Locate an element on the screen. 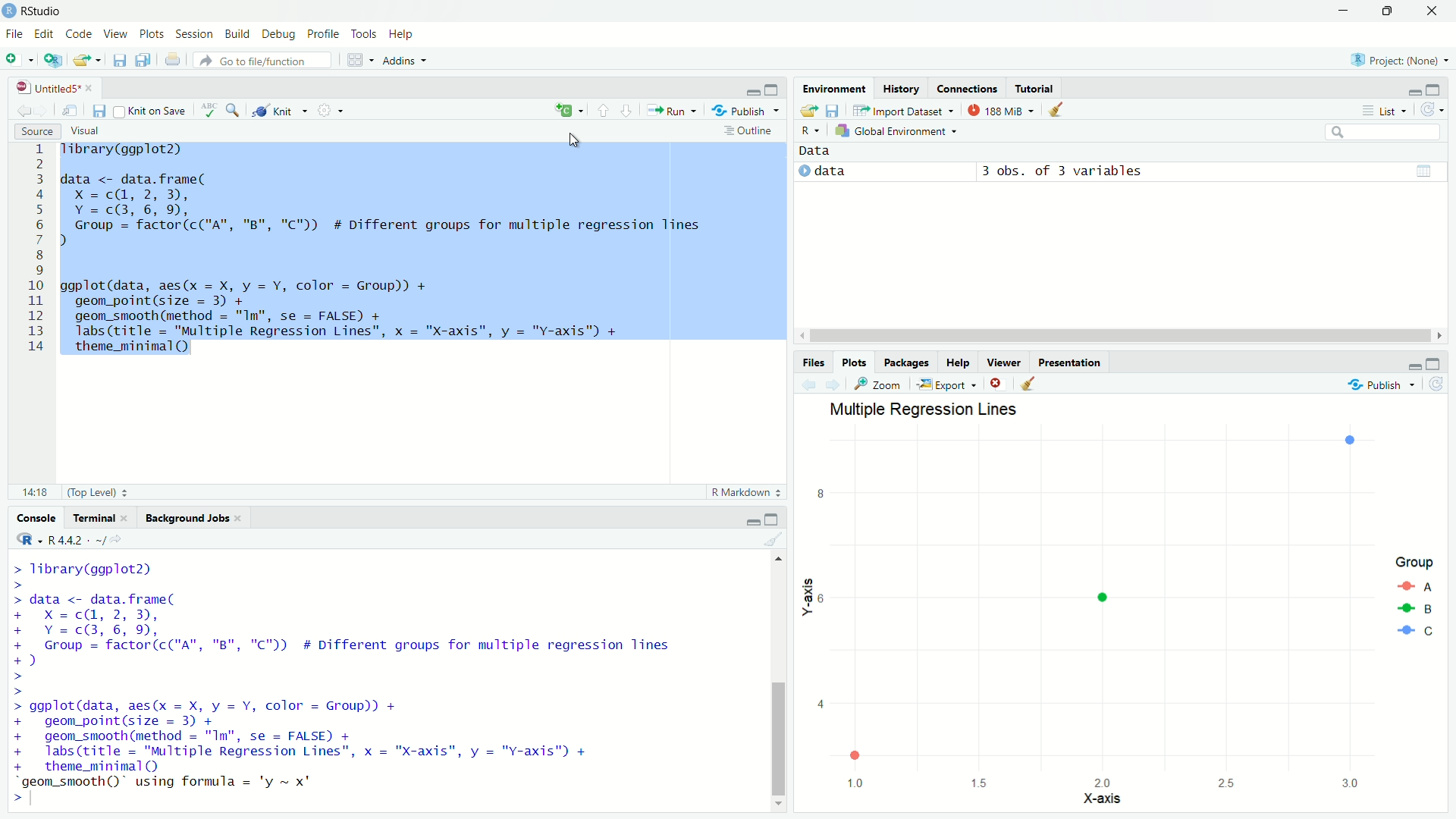 This screenshot has width=1456, height=819. view is located at coordinates (1410, 171).